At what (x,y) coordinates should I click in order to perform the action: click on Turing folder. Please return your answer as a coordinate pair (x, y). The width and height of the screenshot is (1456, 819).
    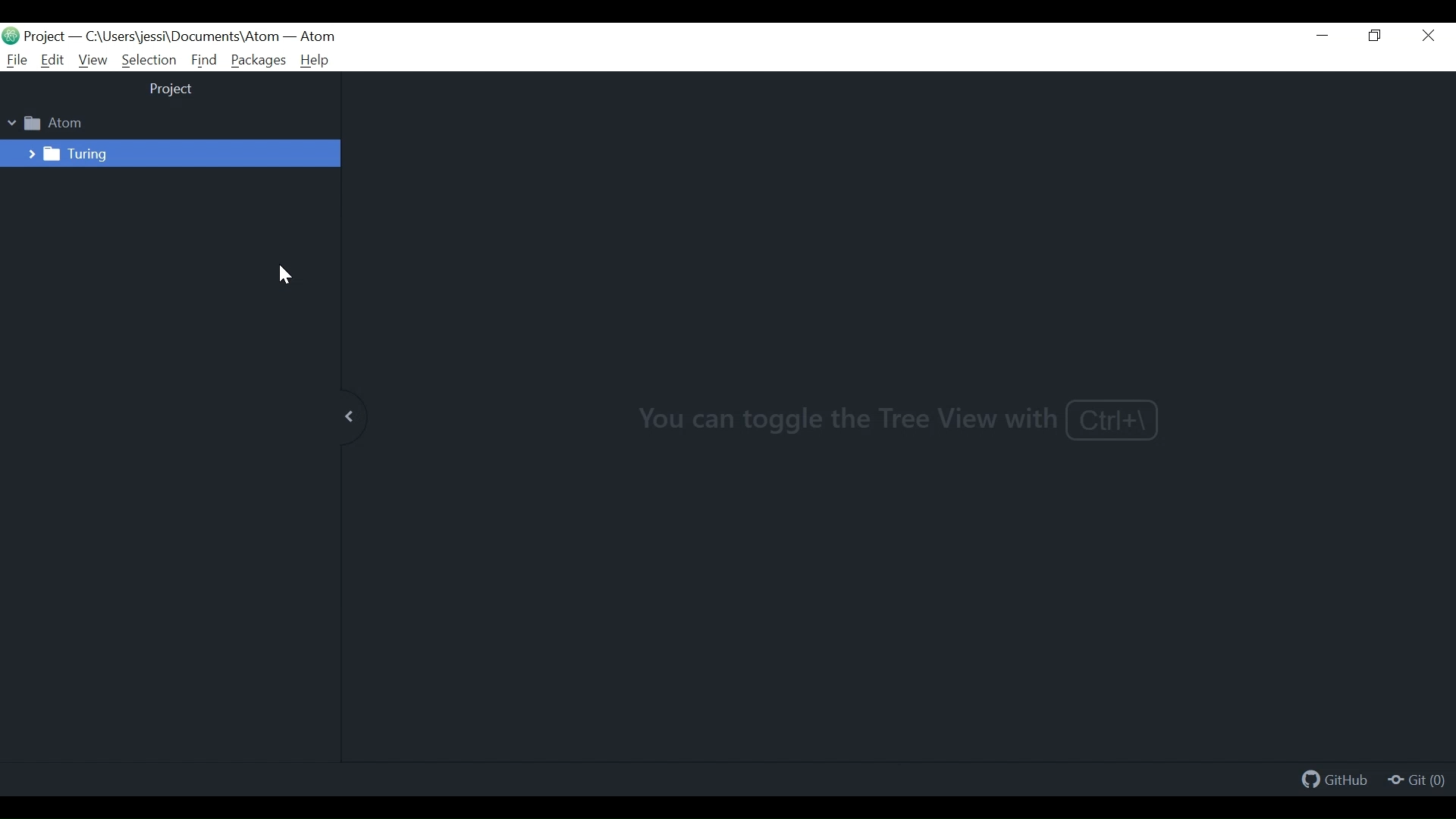
    Looking at the image, I should click on (58, 153).